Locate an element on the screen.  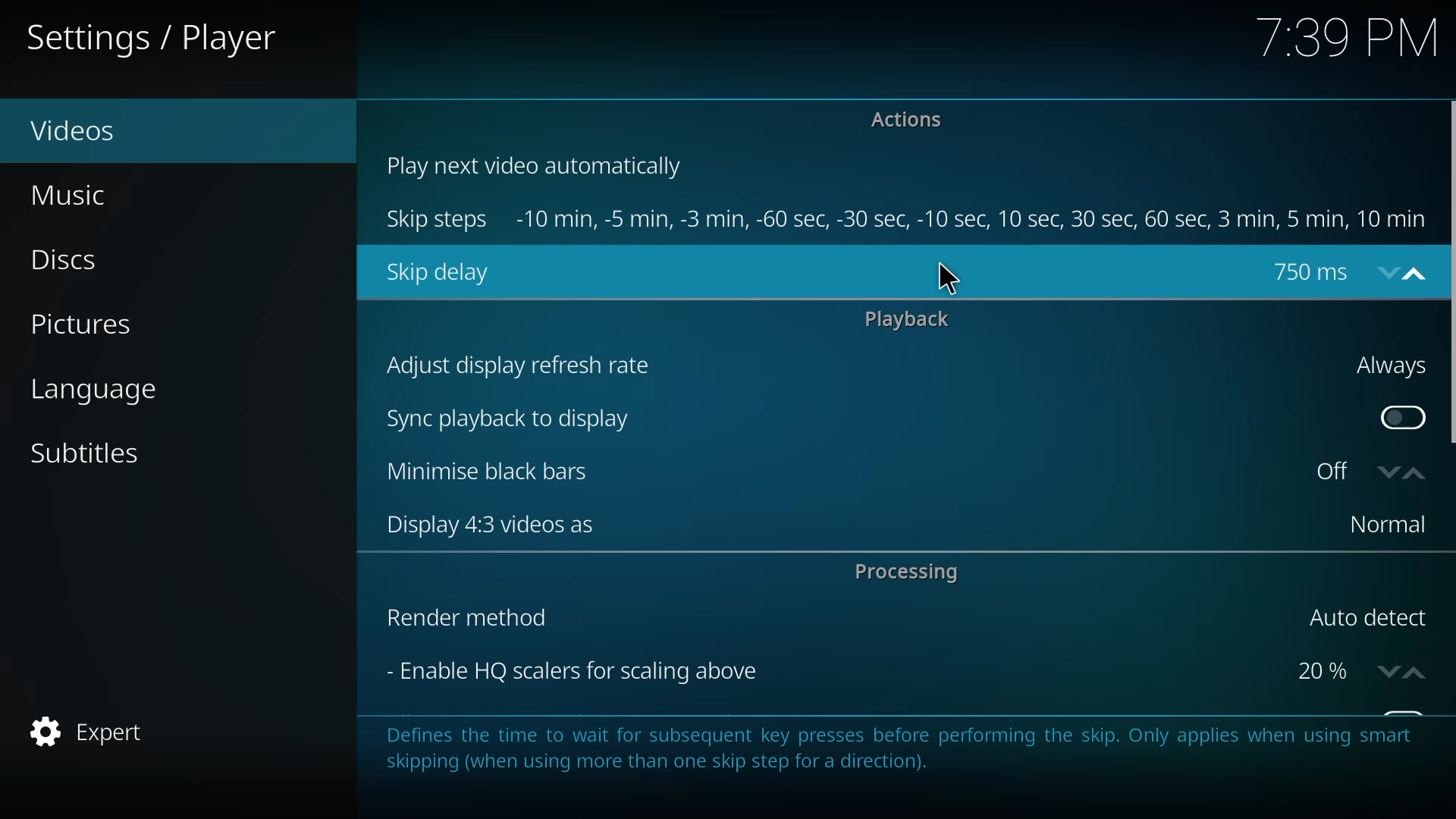
adjust display refresh rate is located at coordinates (521, 365).